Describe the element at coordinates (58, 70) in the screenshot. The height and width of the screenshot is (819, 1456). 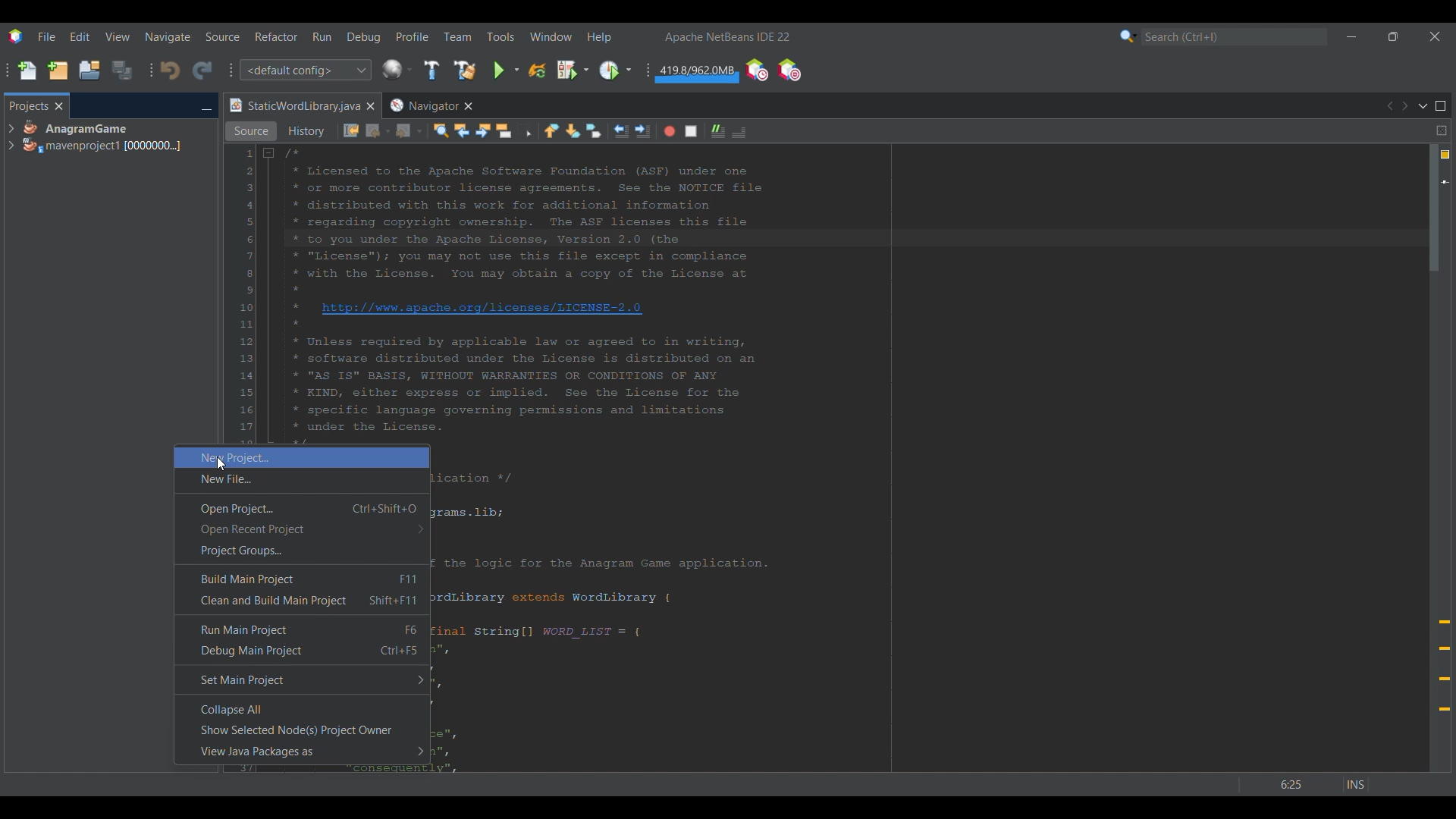
I see `New project` at that location.